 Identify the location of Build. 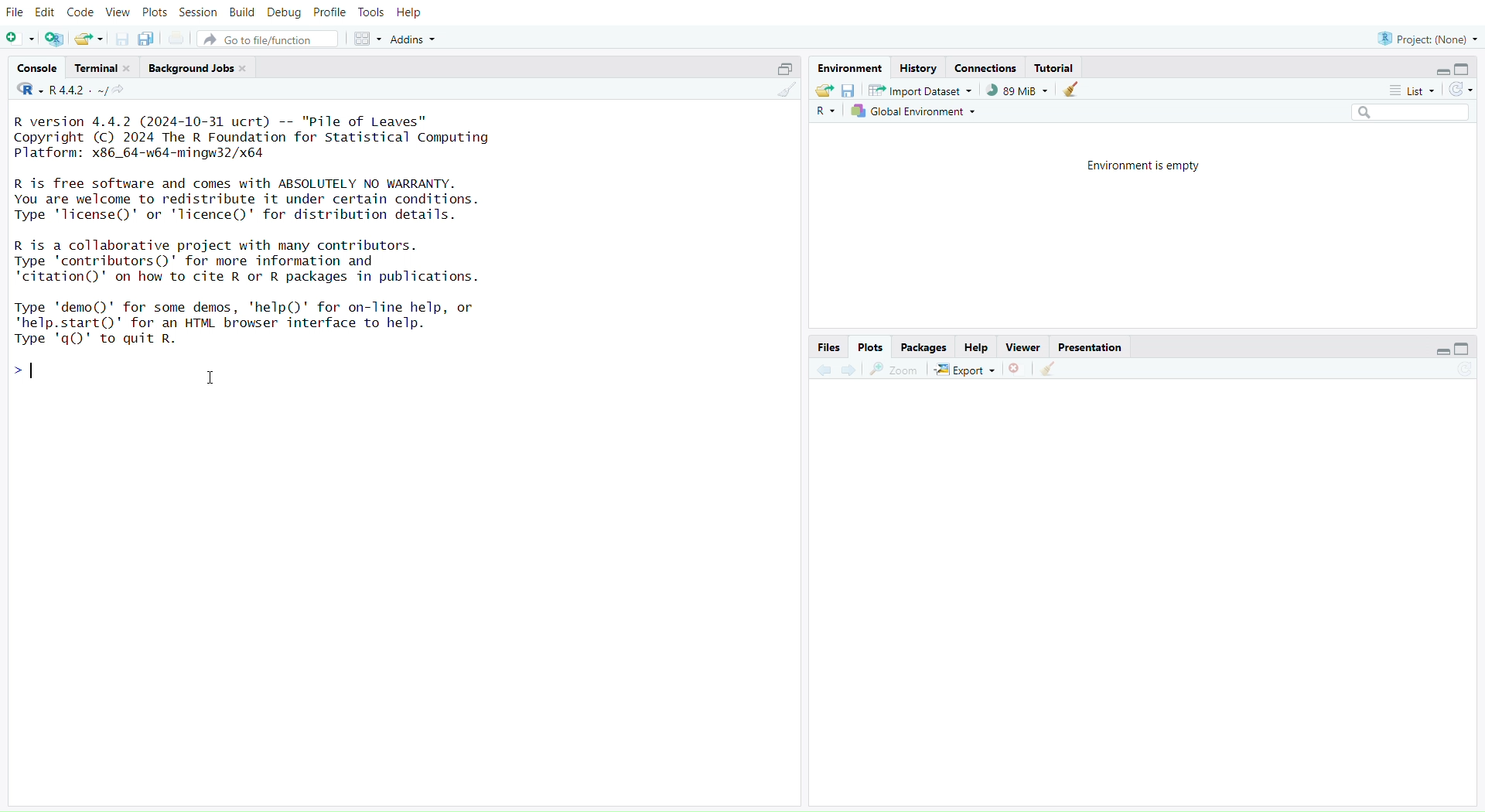
(244, 12).